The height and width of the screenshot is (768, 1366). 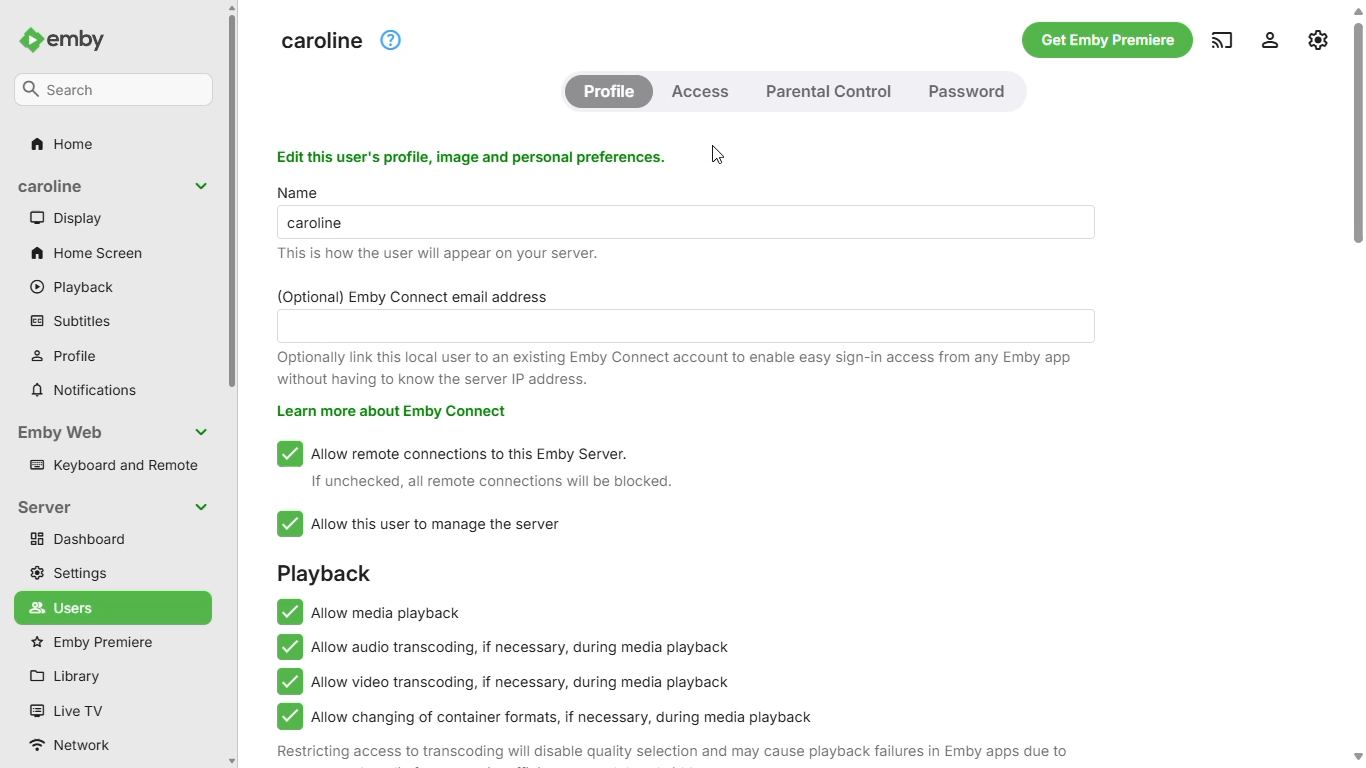 I want to click on server display name, so click(x=321, y=40).